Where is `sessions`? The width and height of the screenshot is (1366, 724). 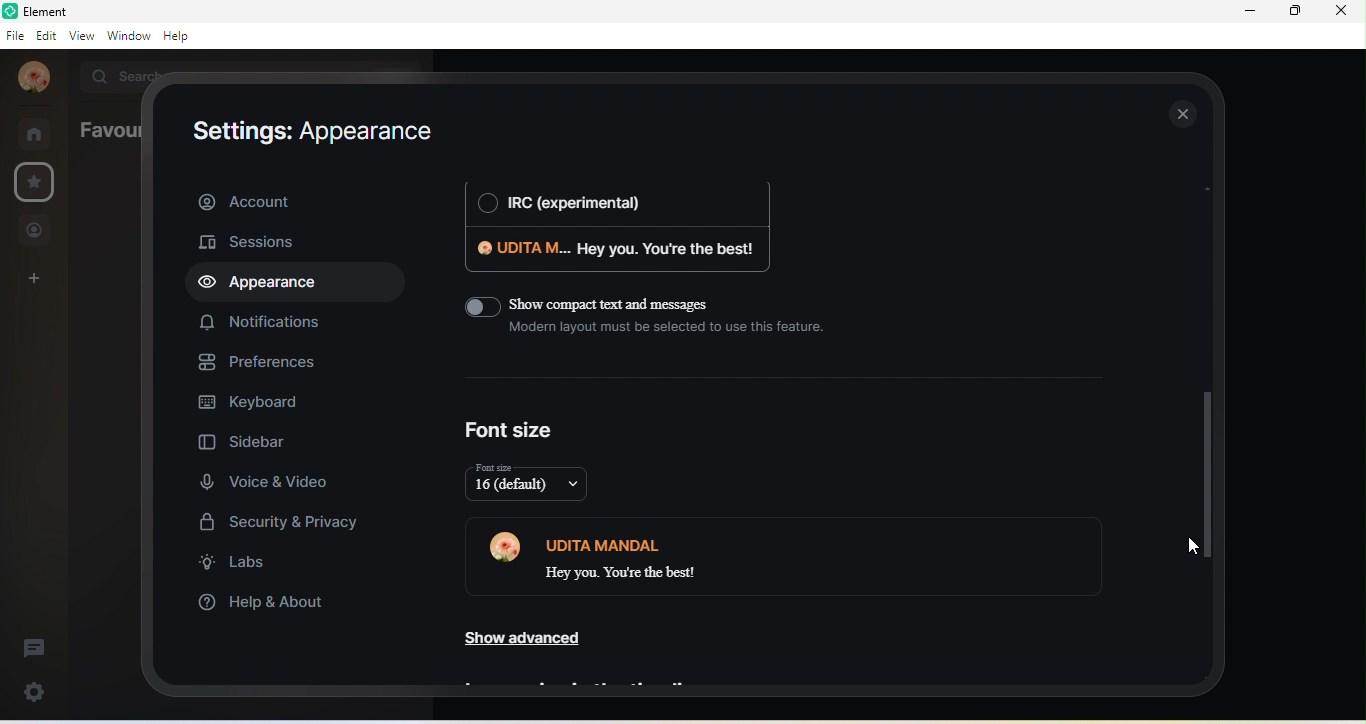 sessions is located at coordinates (250, 243).